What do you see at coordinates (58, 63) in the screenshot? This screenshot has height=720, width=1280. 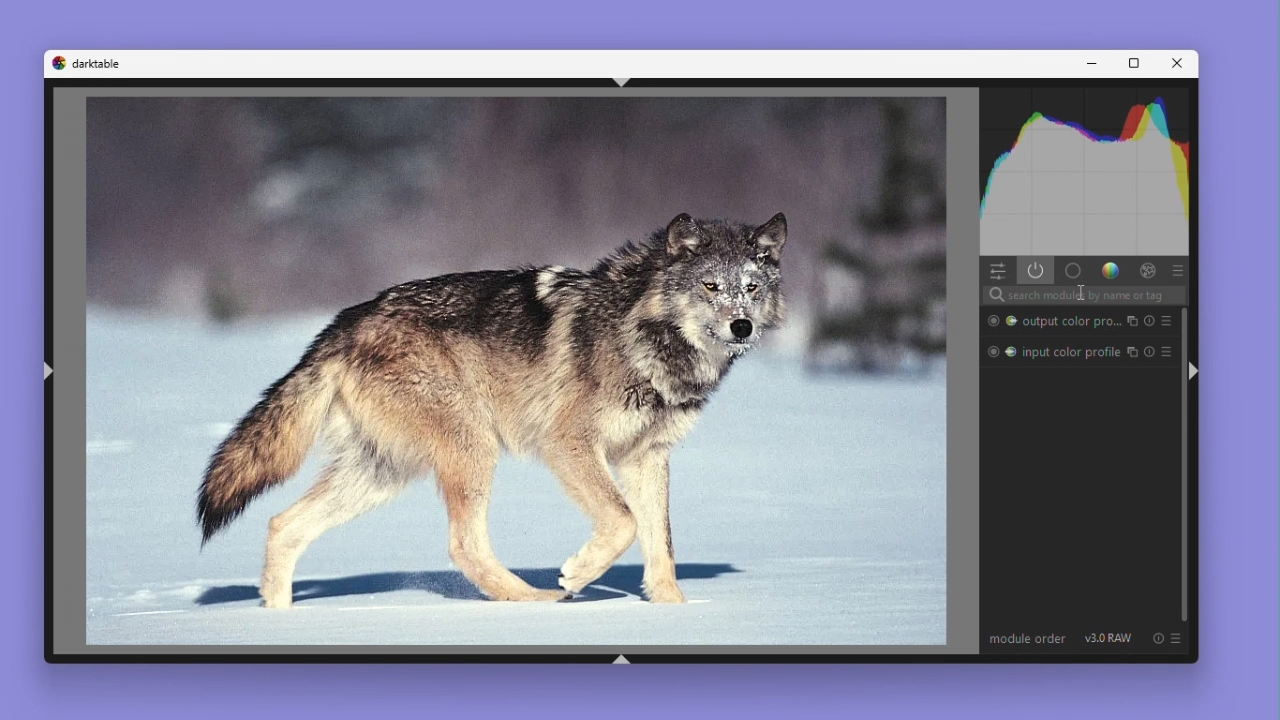 I see `darktable logo` at bounding box center [58, 63].